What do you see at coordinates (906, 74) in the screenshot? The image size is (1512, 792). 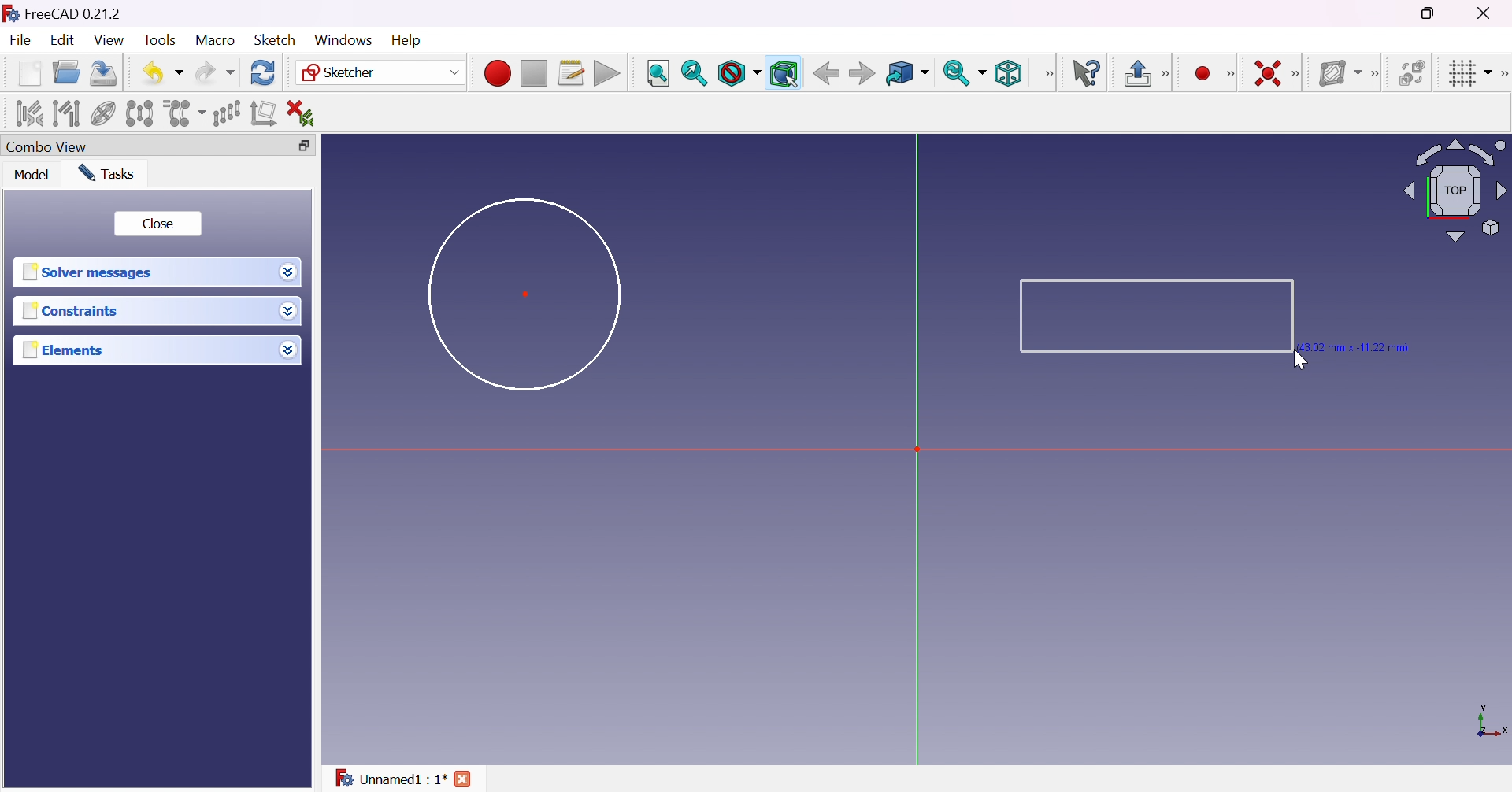 I see `Go to linked object` at bounding box center [906, 74].